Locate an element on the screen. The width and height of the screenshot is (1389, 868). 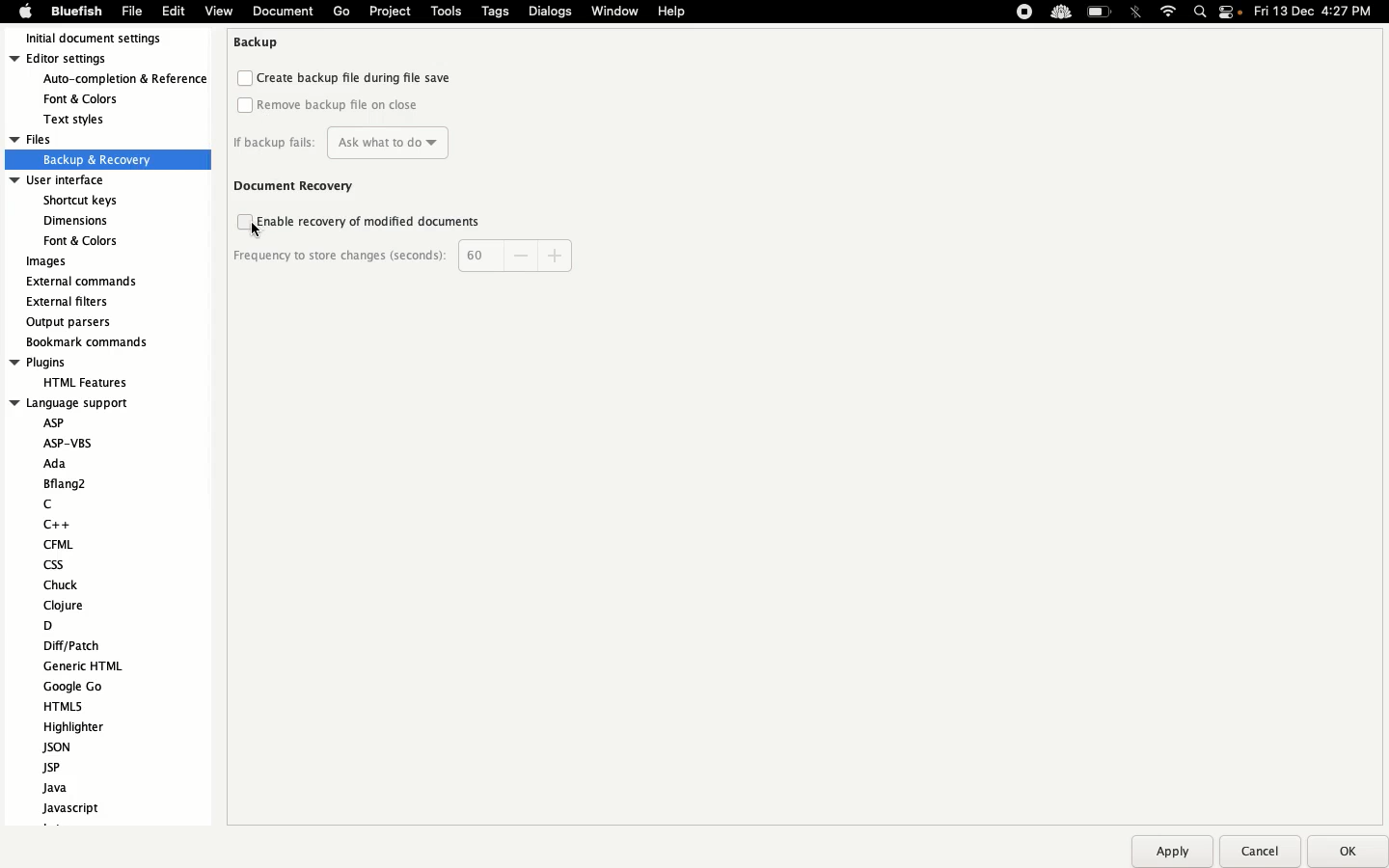
Bluefish is located at coordinates (74, 13).